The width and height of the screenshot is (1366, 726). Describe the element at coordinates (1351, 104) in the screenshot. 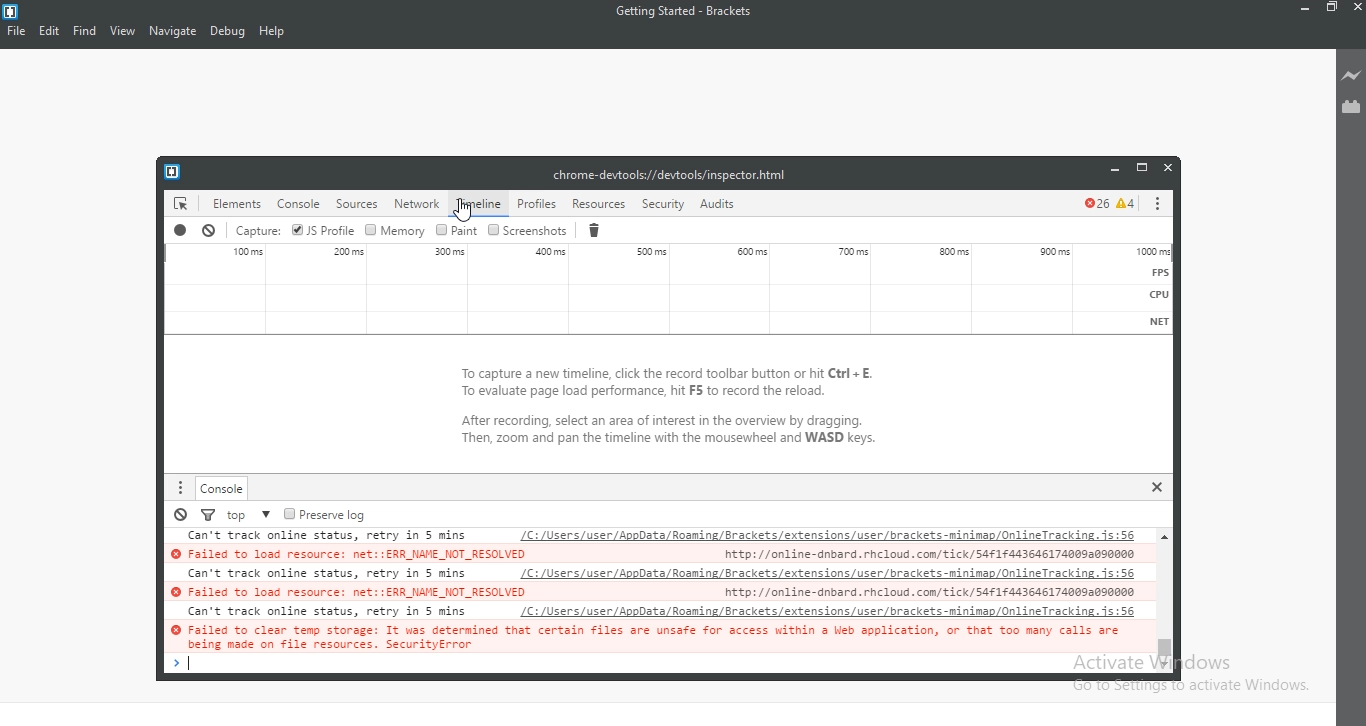

I see `Extension Manager` at that location.